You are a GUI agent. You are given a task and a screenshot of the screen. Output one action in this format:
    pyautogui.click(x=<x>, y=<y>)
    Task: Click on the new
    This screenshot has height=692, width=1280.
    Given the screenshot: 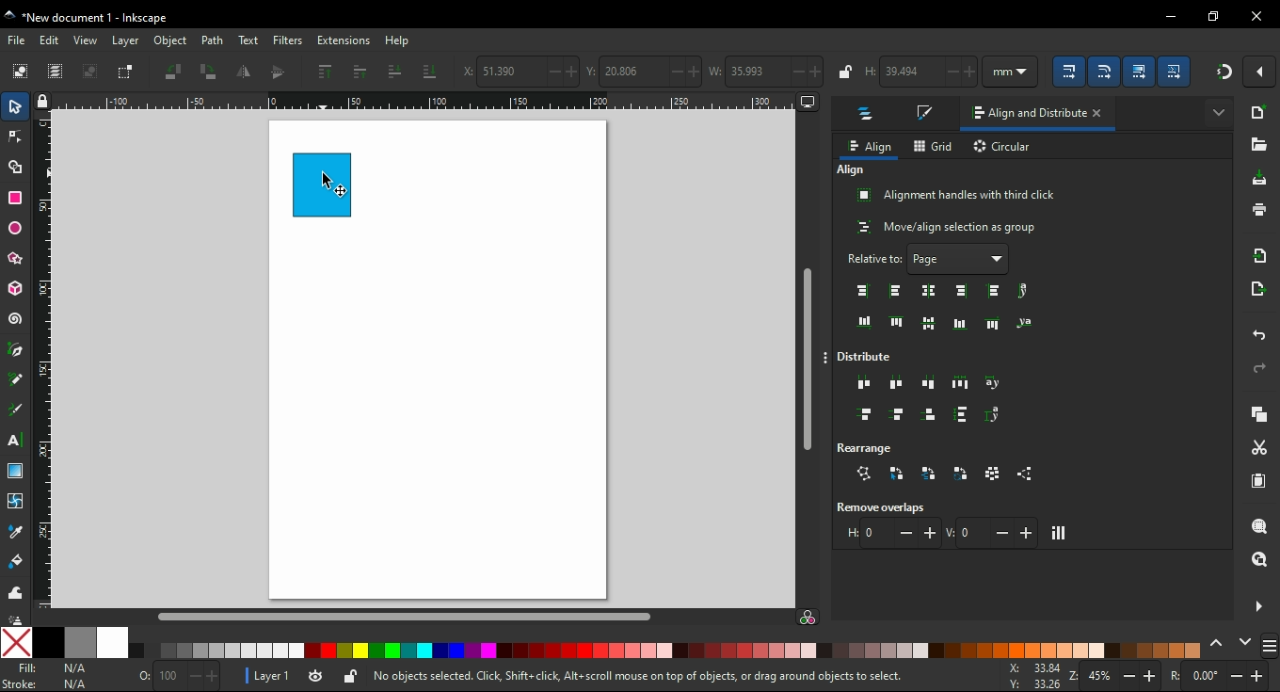 What is the action you would take?
    pyautogui.click(x=1260, y=112)
    